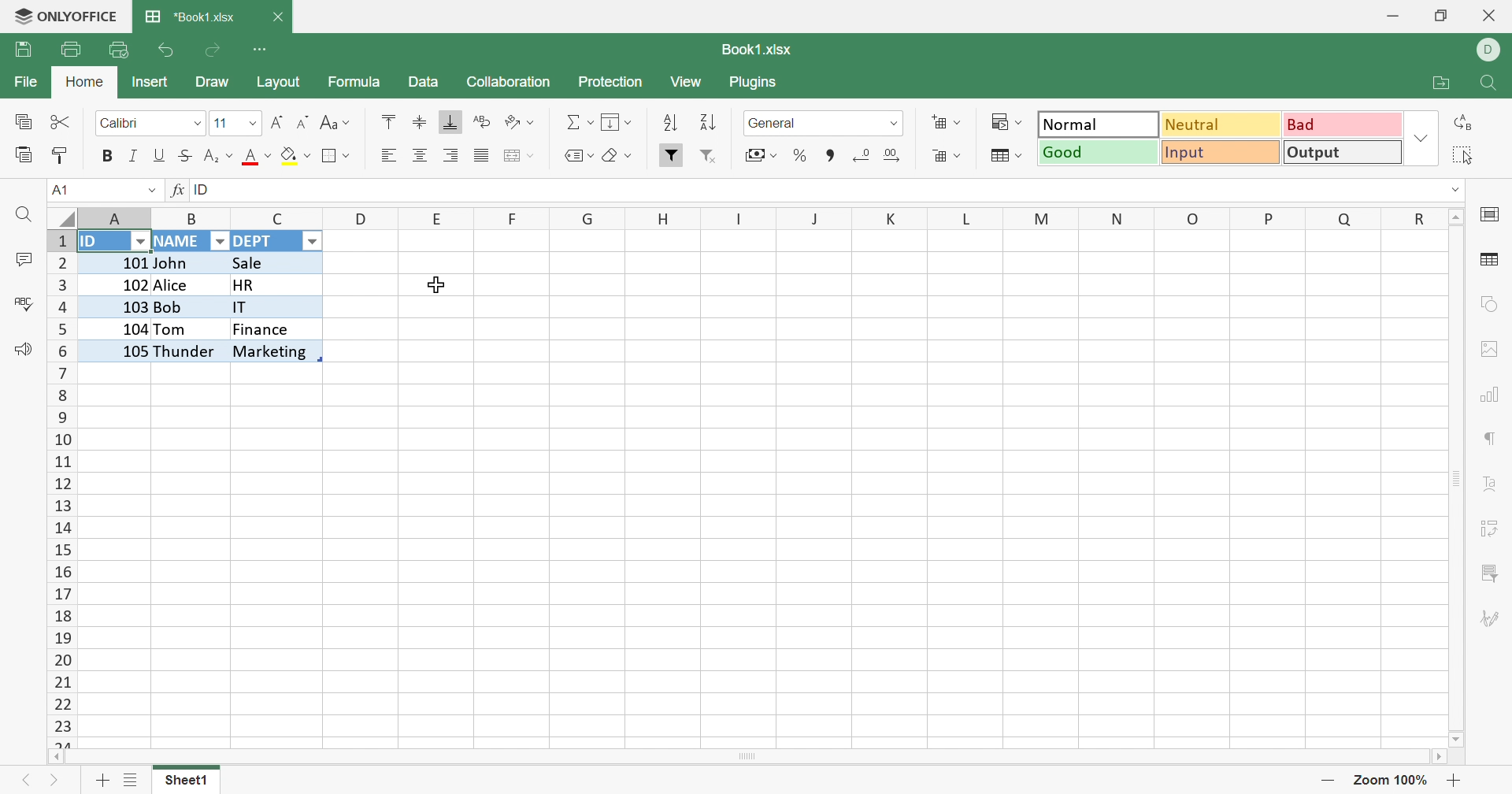 Image resolution: width=1512 pixels, height=794 pixels. I want to click on Drop Down, so click(218, 241).